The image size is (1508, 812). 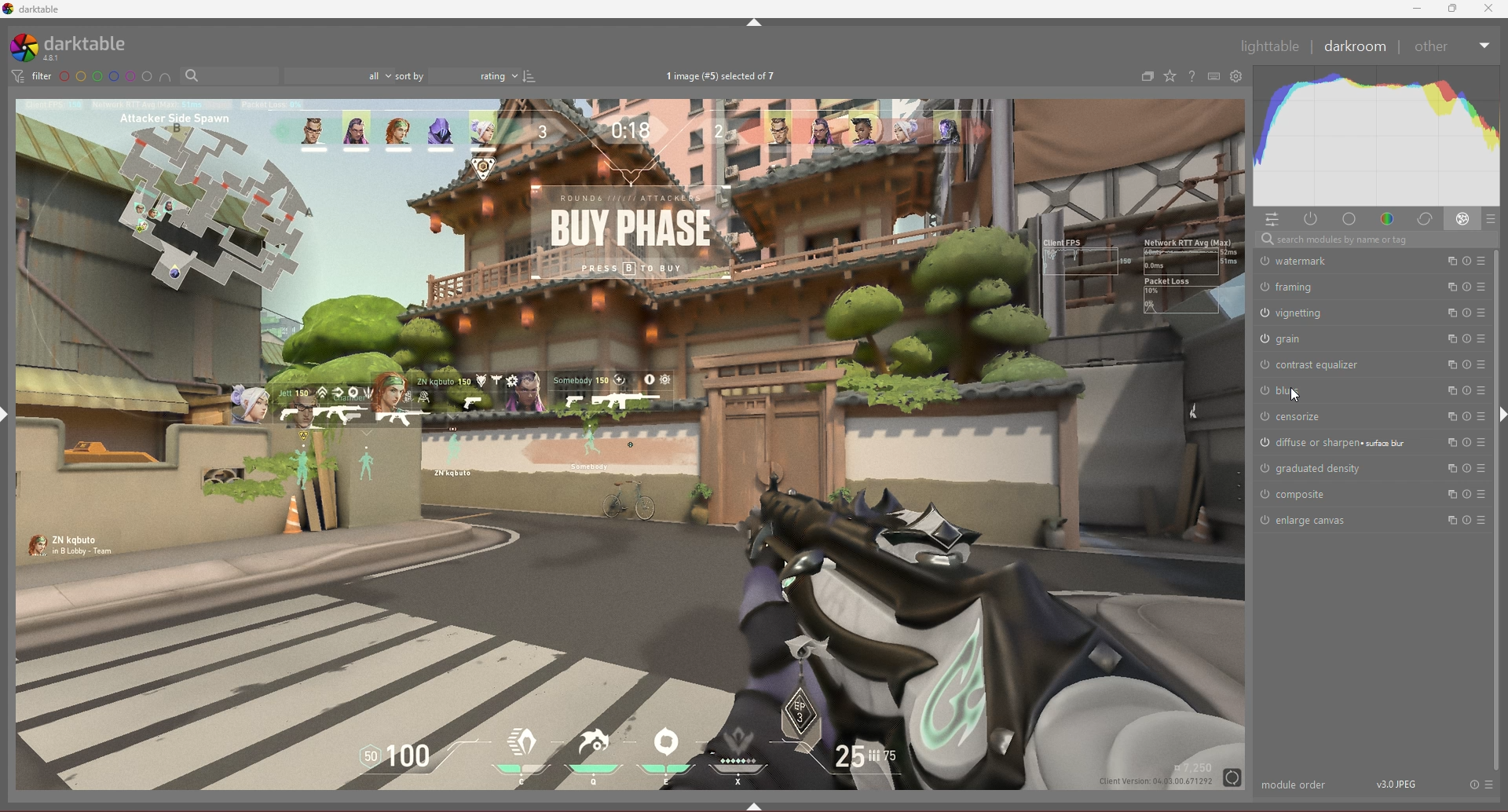 What do you see at coordinates (1298, 398) in the screenshot?
I see `cursor` at bounding box center [1298, 398].